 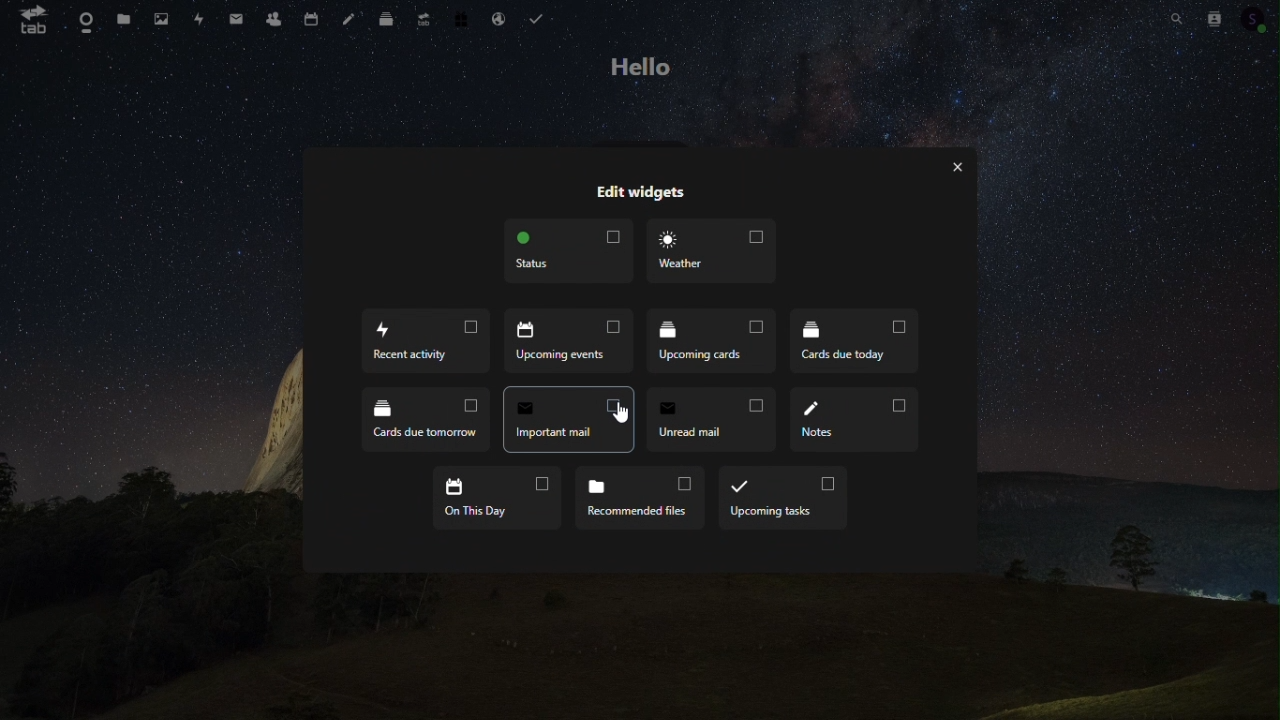 What do you see at coordinates (565, 419) in the screenshot?
I see `Important mail` at bounding box center [565, 419].